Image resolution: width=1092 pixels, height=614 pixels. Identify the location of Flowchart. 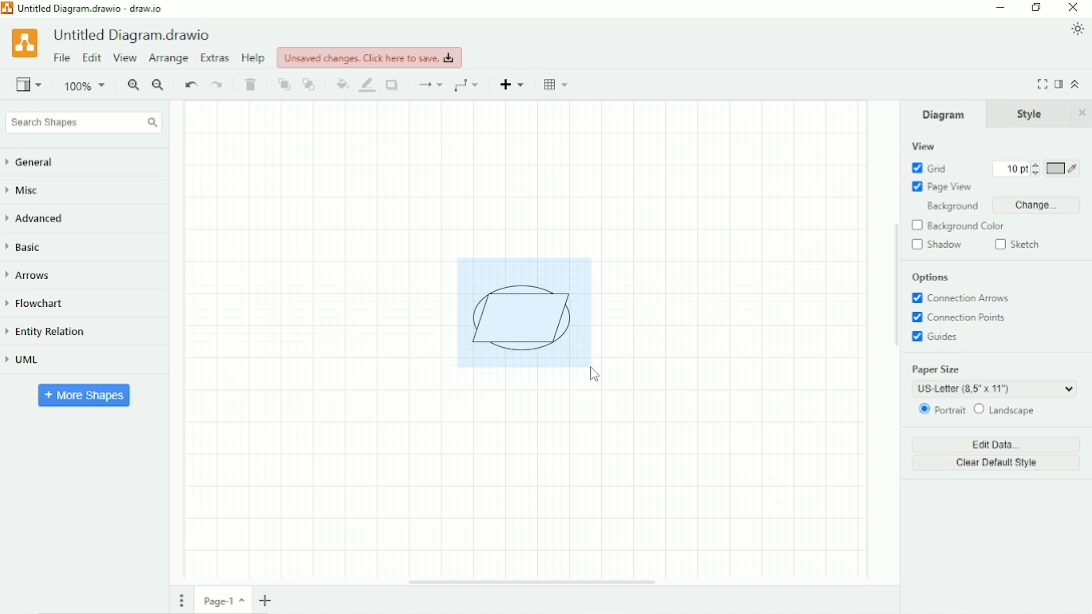
(43, 304).